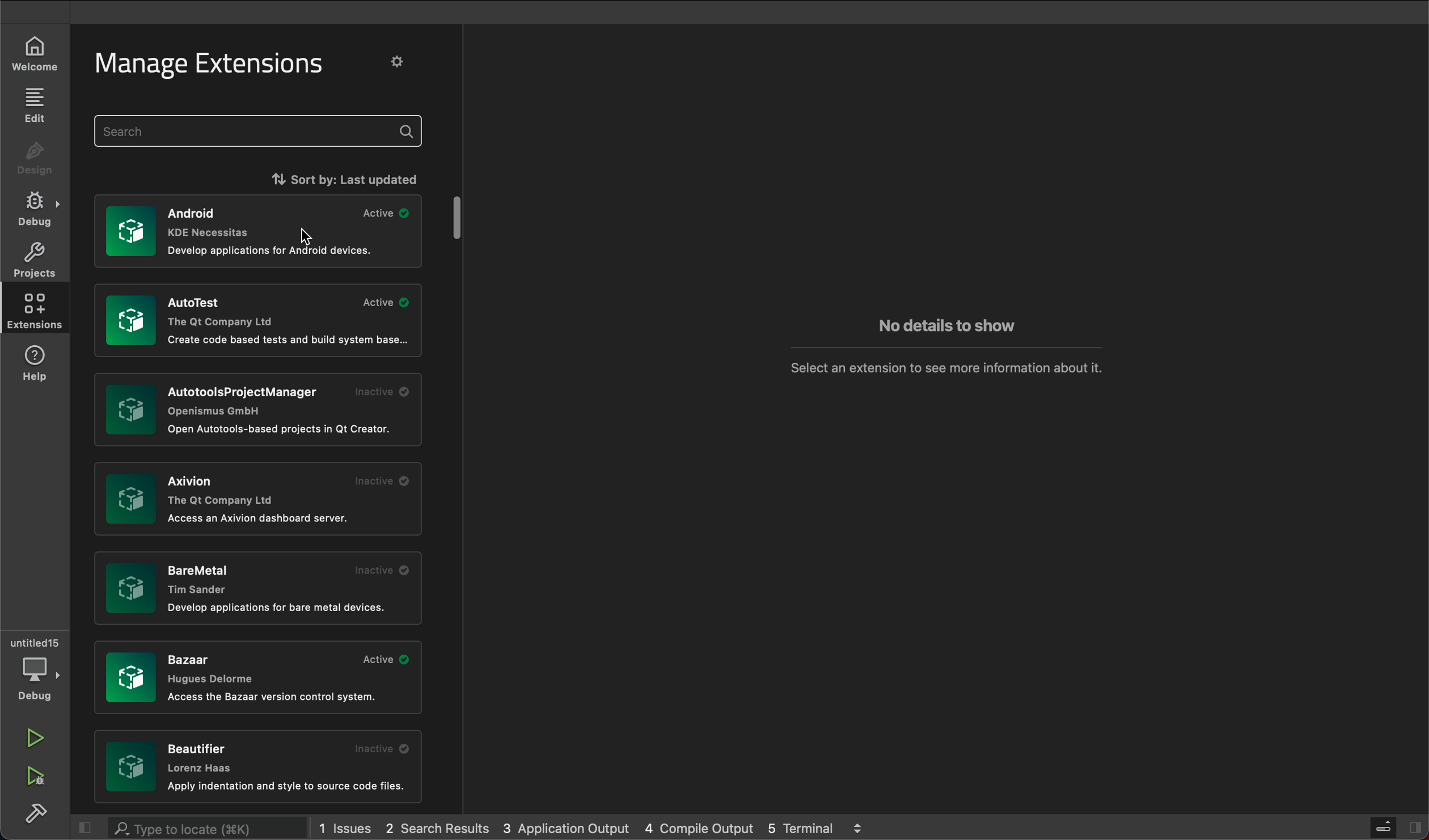  Describe the element at coordinates (308, 236) in the screenshot. I see `cursor` at that location.